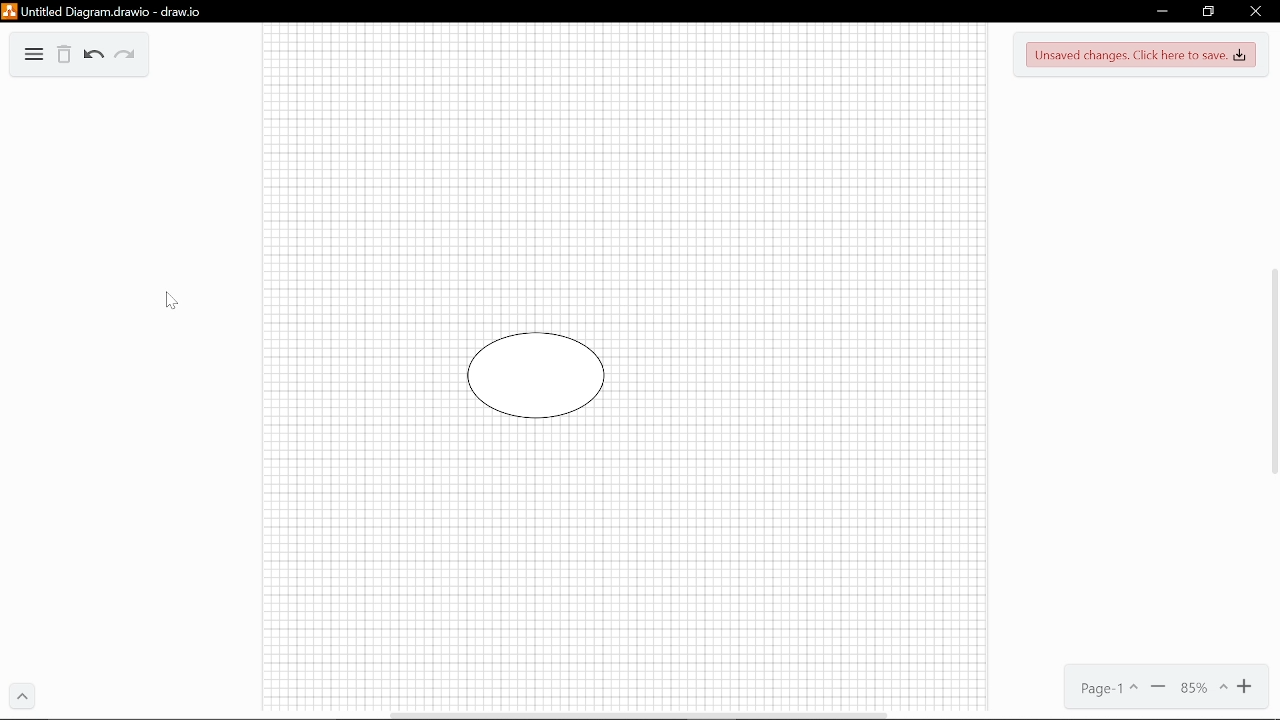  I want to click on Untitled Diagram.drawio - draw.io, so click(106, 12).